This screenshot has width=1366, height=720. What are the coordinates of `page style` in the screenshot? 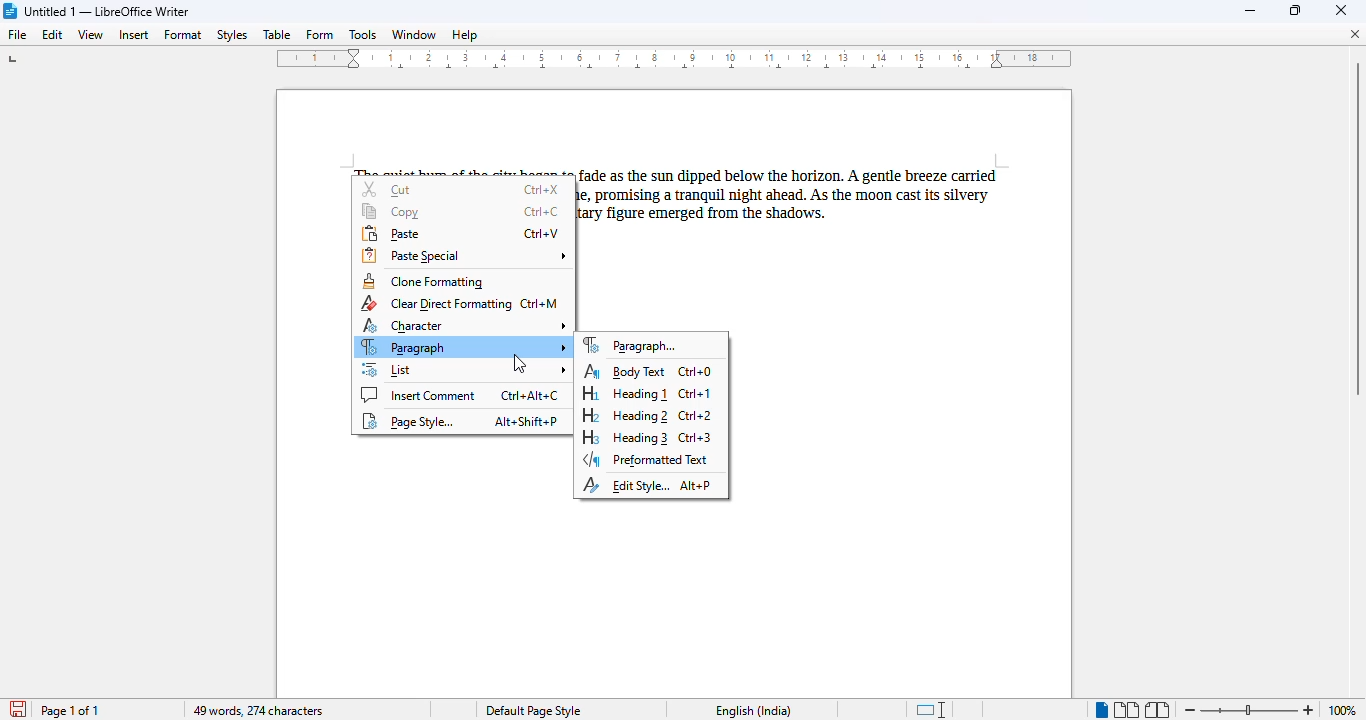 It's located at (533, 710).